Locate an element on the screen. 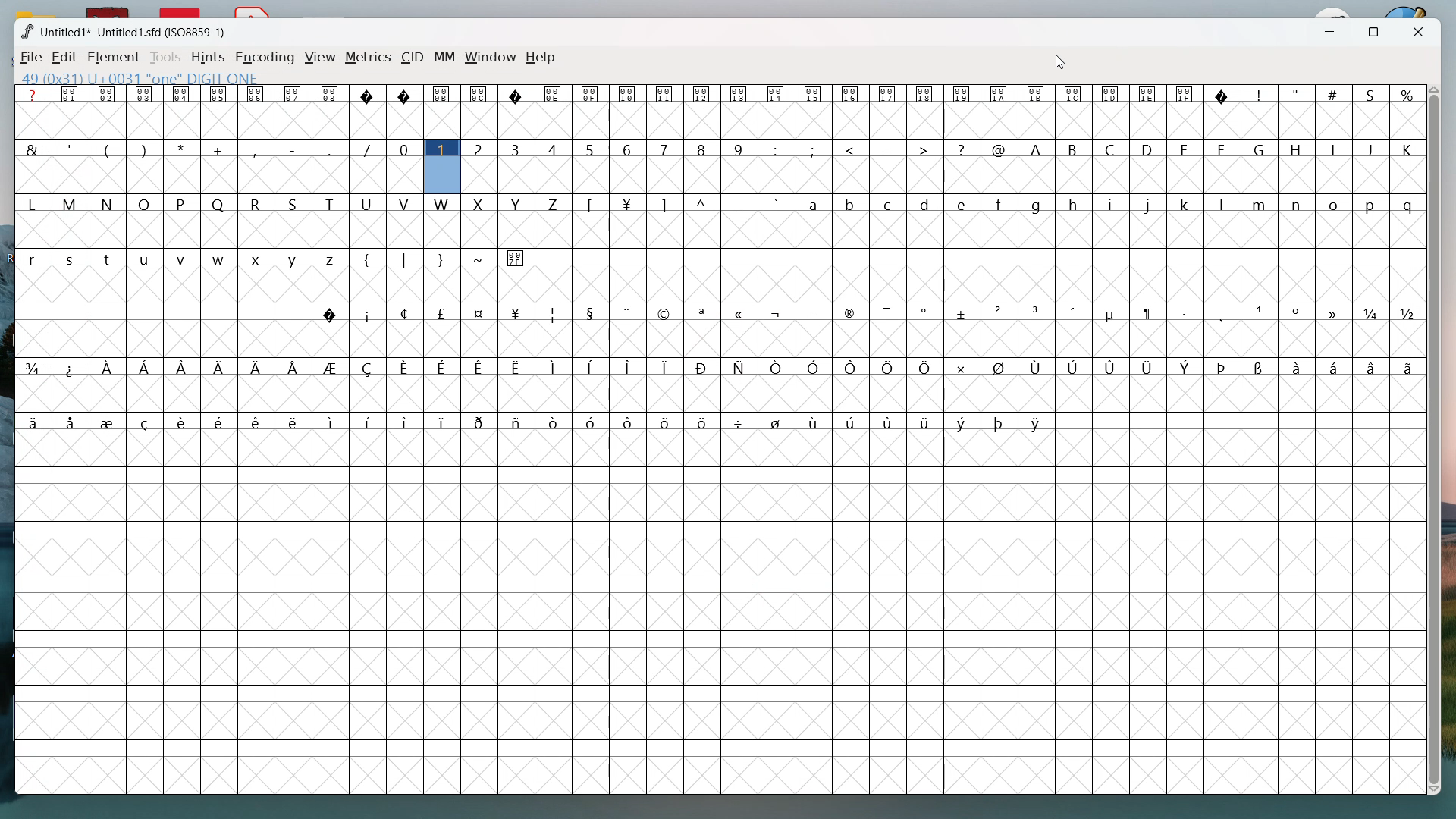 The width and height of the screenshot is (1456, 819). symbol is located at coordinates (741, 422).